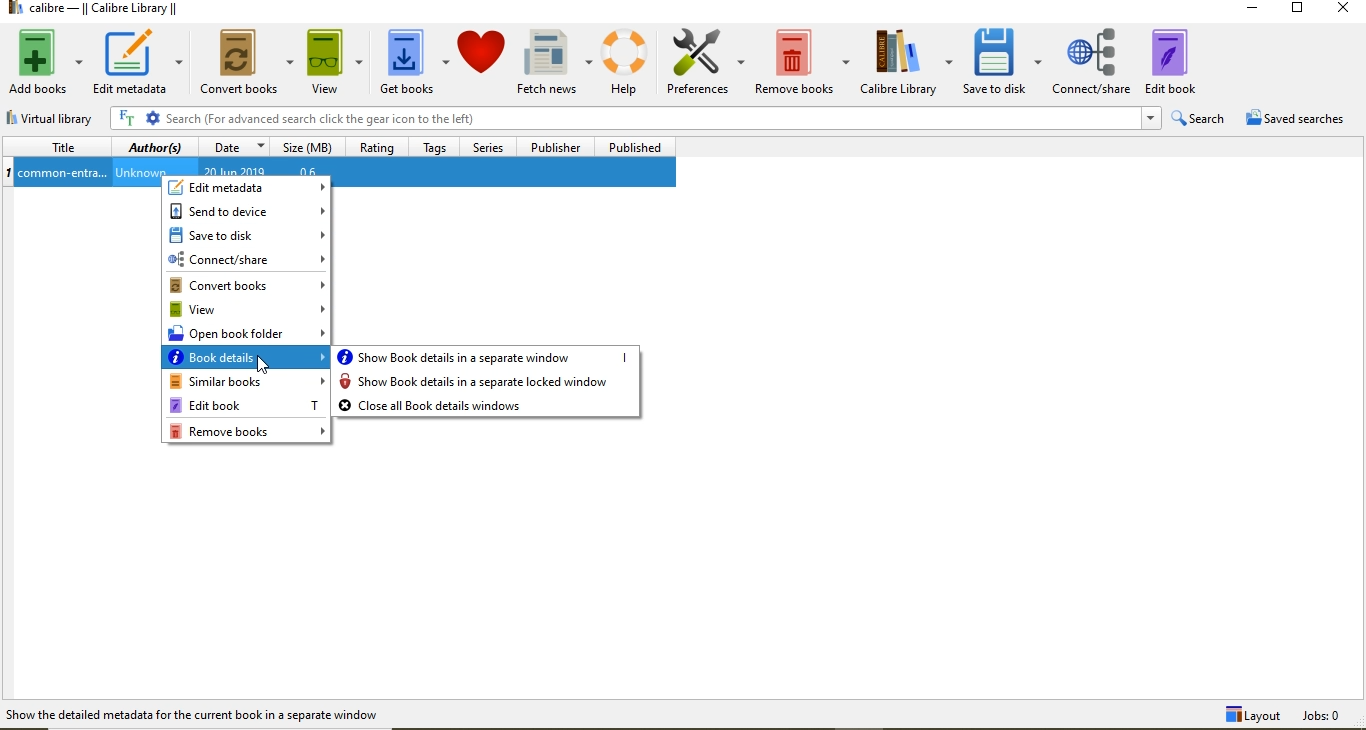 This screenshot has height=730, width=1366. I want to click on Drop-down , so click(1150, 118).